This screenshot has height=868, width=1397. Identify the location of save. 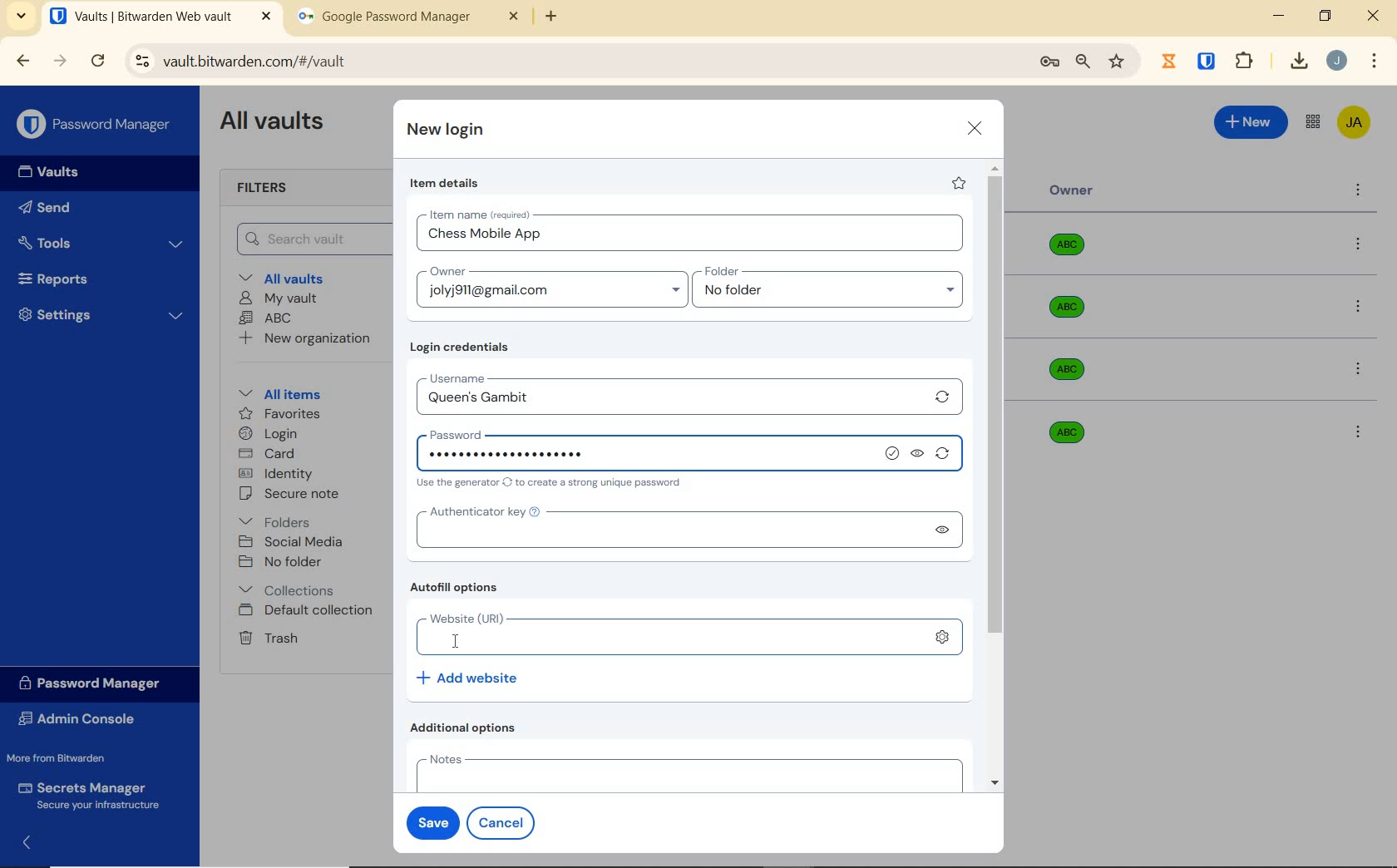
(429, 821).